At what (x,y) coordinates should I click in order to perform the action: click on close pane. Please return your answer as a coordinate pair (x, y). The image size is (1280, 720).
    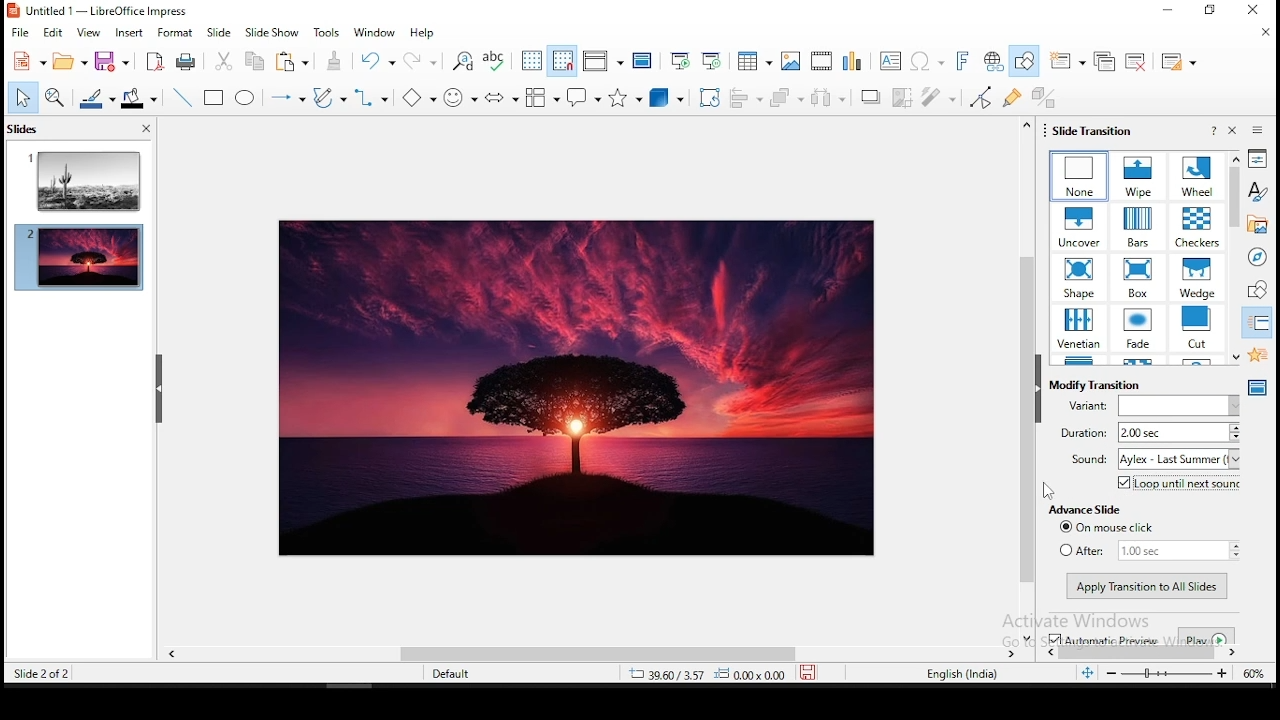
    Looking at the image, I should click on (1231, 131).